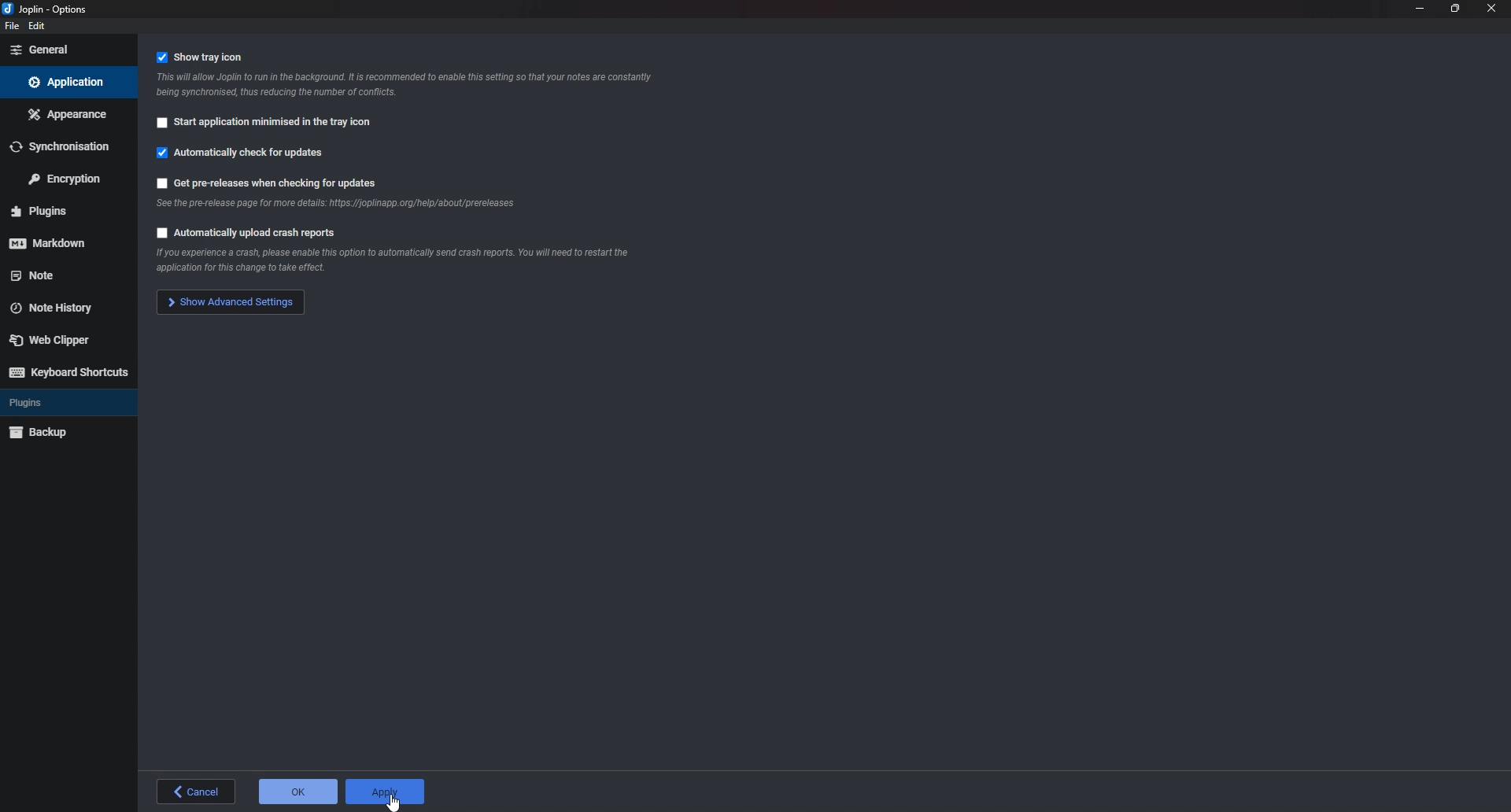 The width and height of the screenshot is (1511, 812). Describe the element at coordinates (58, 275) in the screenshot. I see `note` at that location.